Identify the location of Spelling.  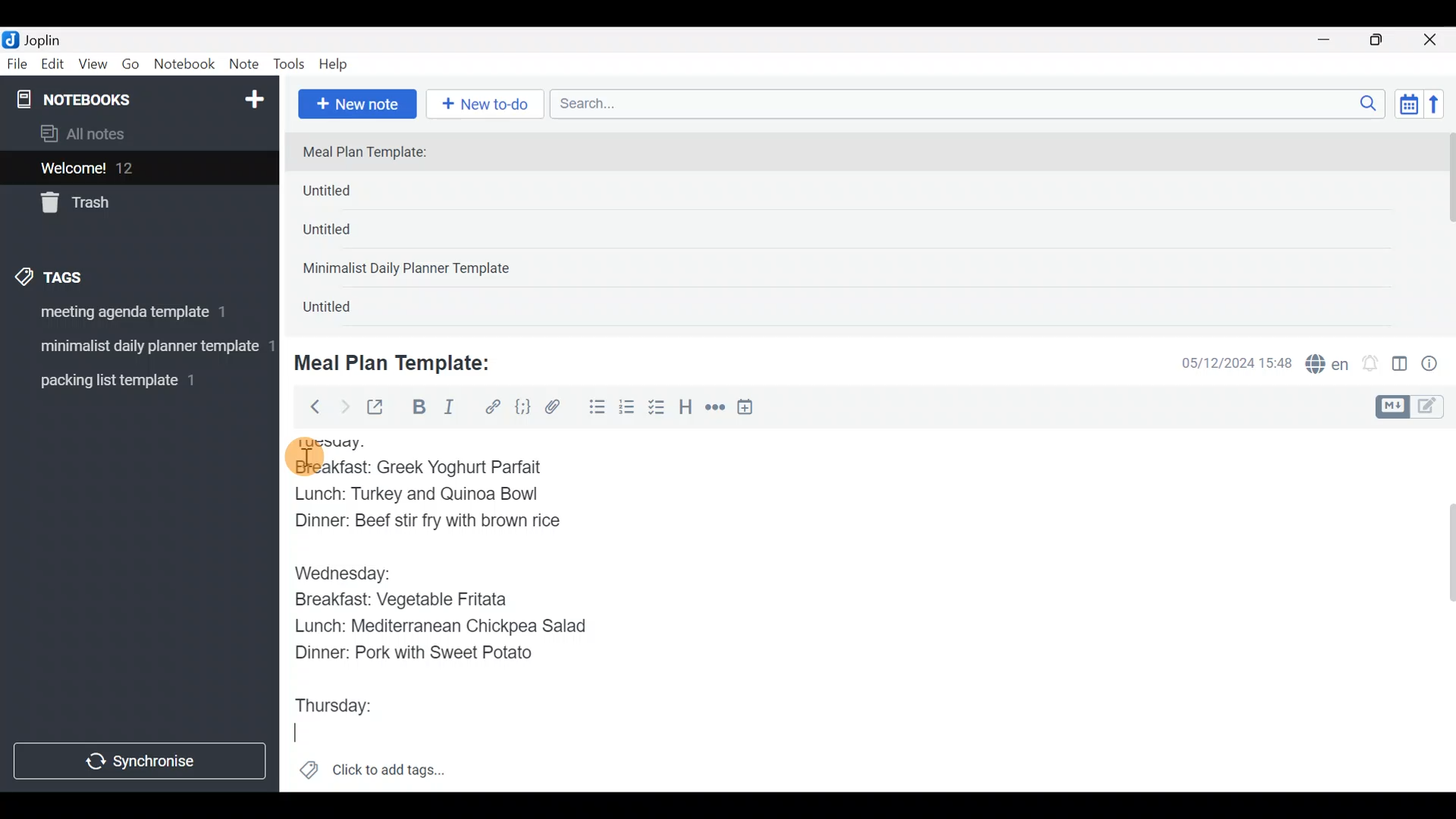
(1328, 366).